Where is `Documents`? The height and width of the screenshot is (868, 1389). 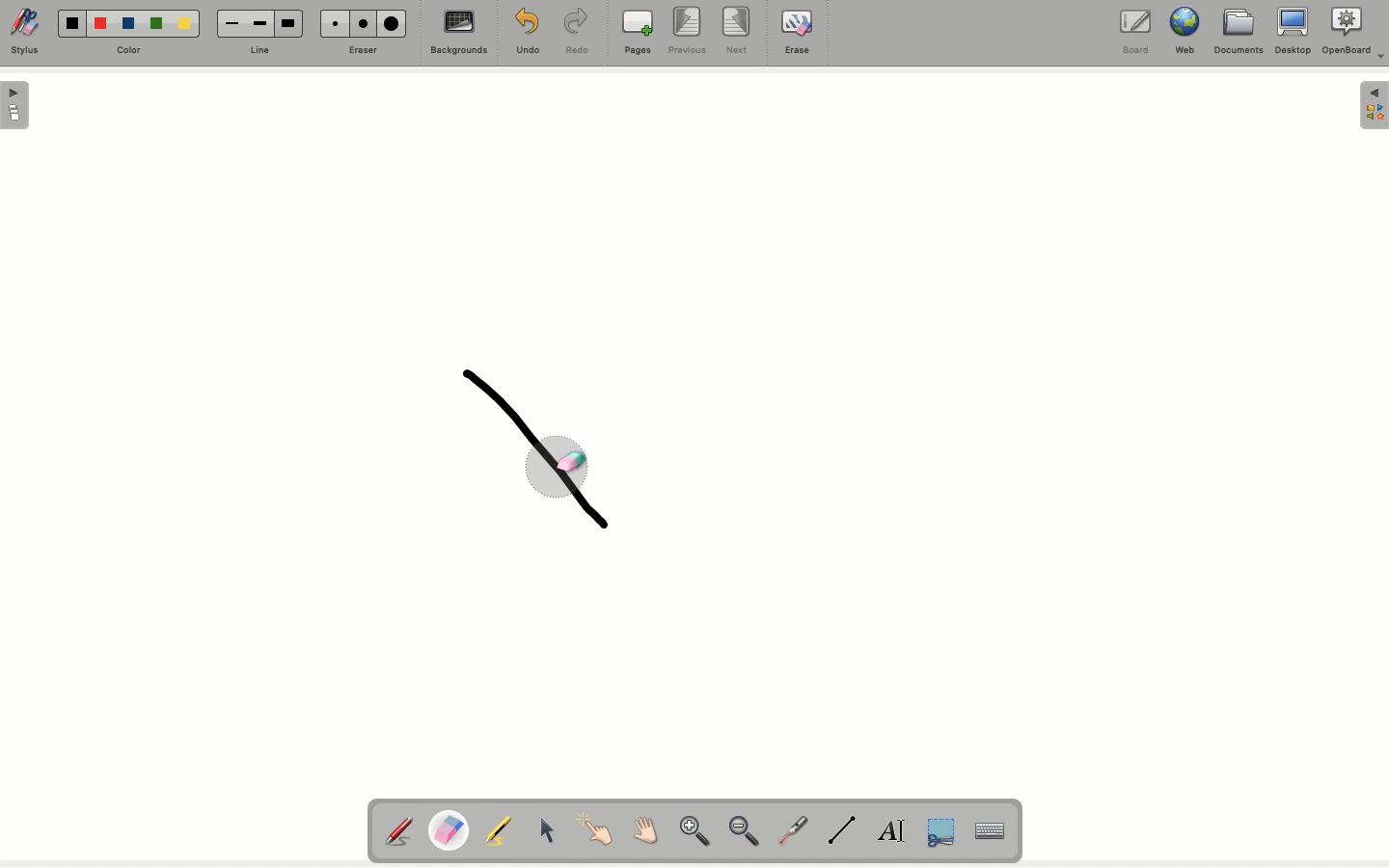 Documents is located at coordinates (1238, 35).